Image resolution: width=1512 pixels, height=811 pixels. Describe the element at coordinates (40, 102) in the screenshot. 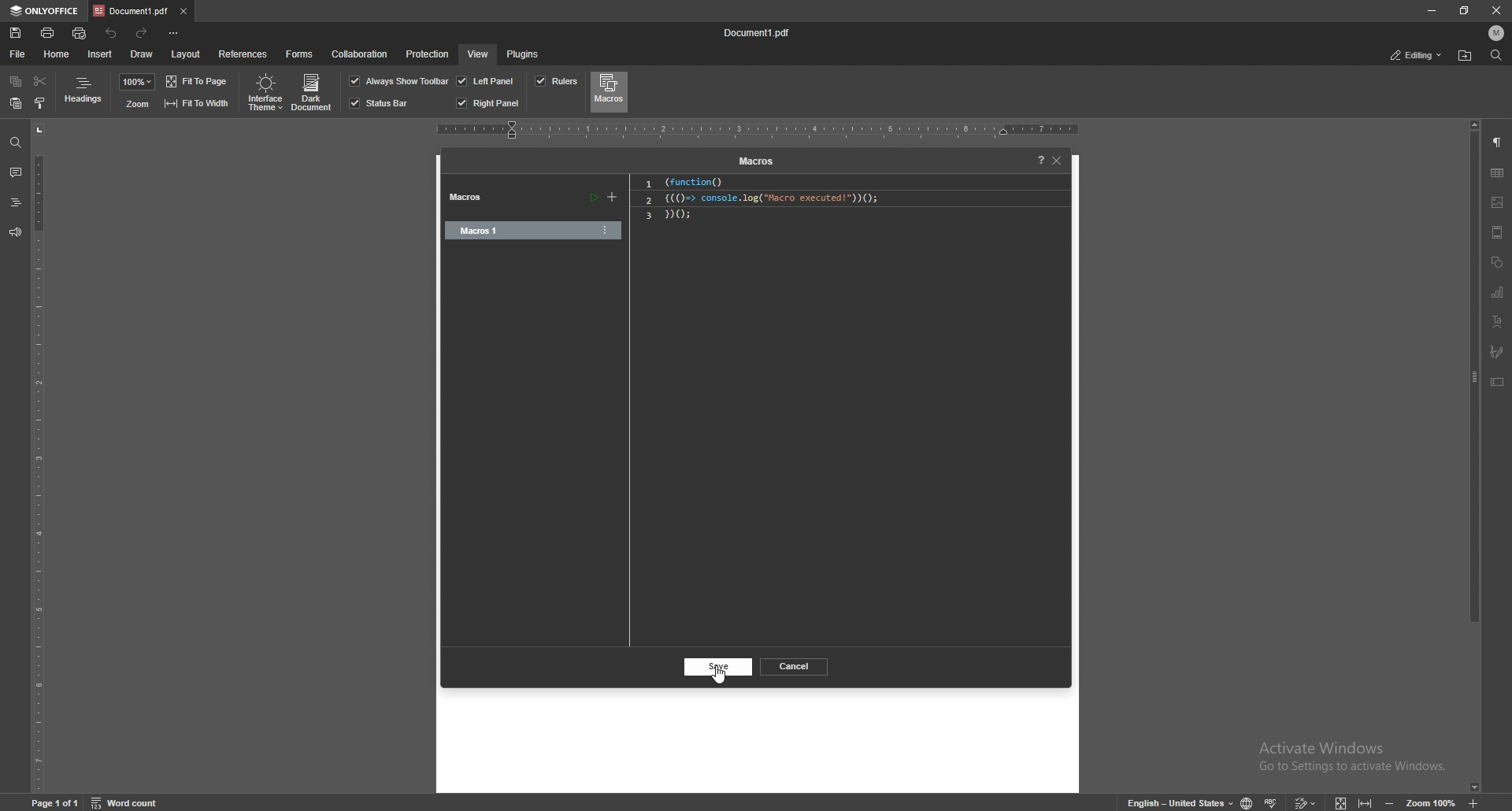

I see `copy style` at that location.